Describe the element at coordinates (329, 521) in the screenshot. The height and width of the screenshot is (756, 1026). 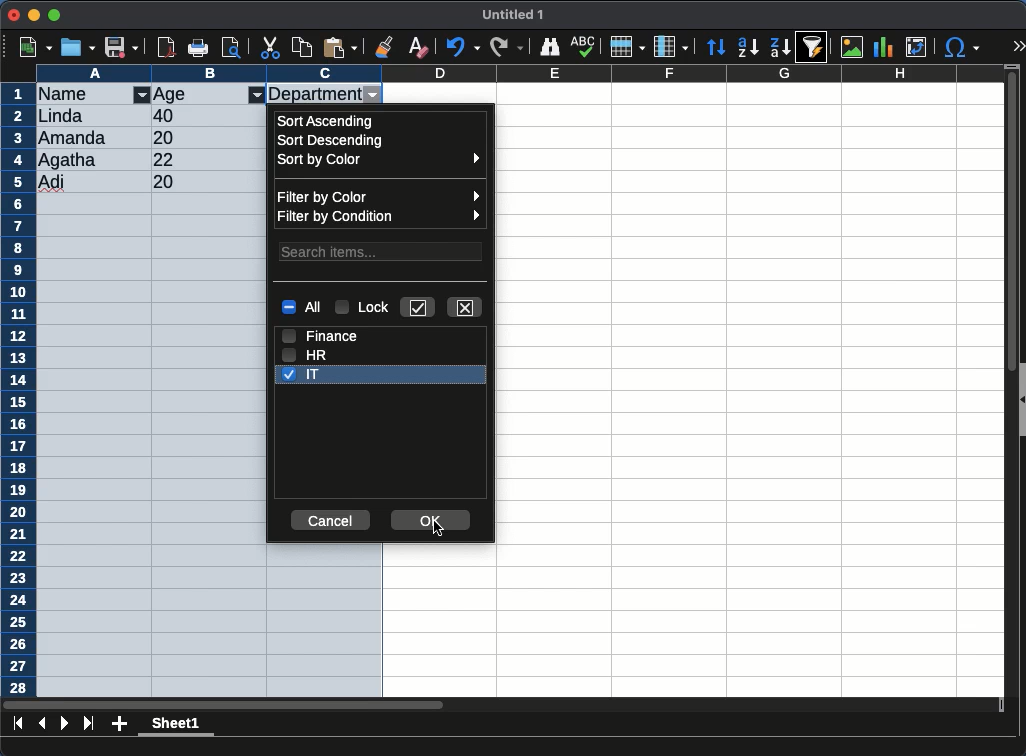
I see `cancel ` at that location.